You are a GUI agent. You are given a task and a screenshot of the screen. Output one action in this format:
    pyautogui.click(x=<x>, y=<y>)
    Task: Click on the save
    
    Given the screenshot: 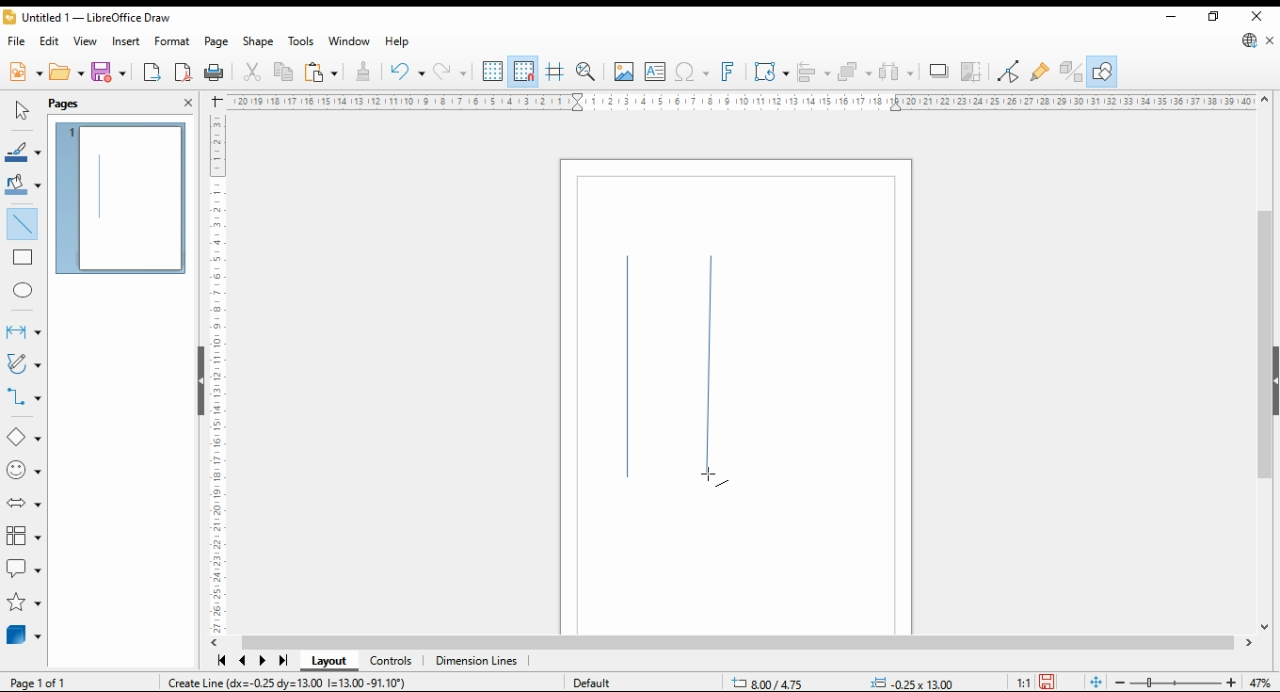 What is the action you would take?
    pyautogui.click(x=109, y=71)
    